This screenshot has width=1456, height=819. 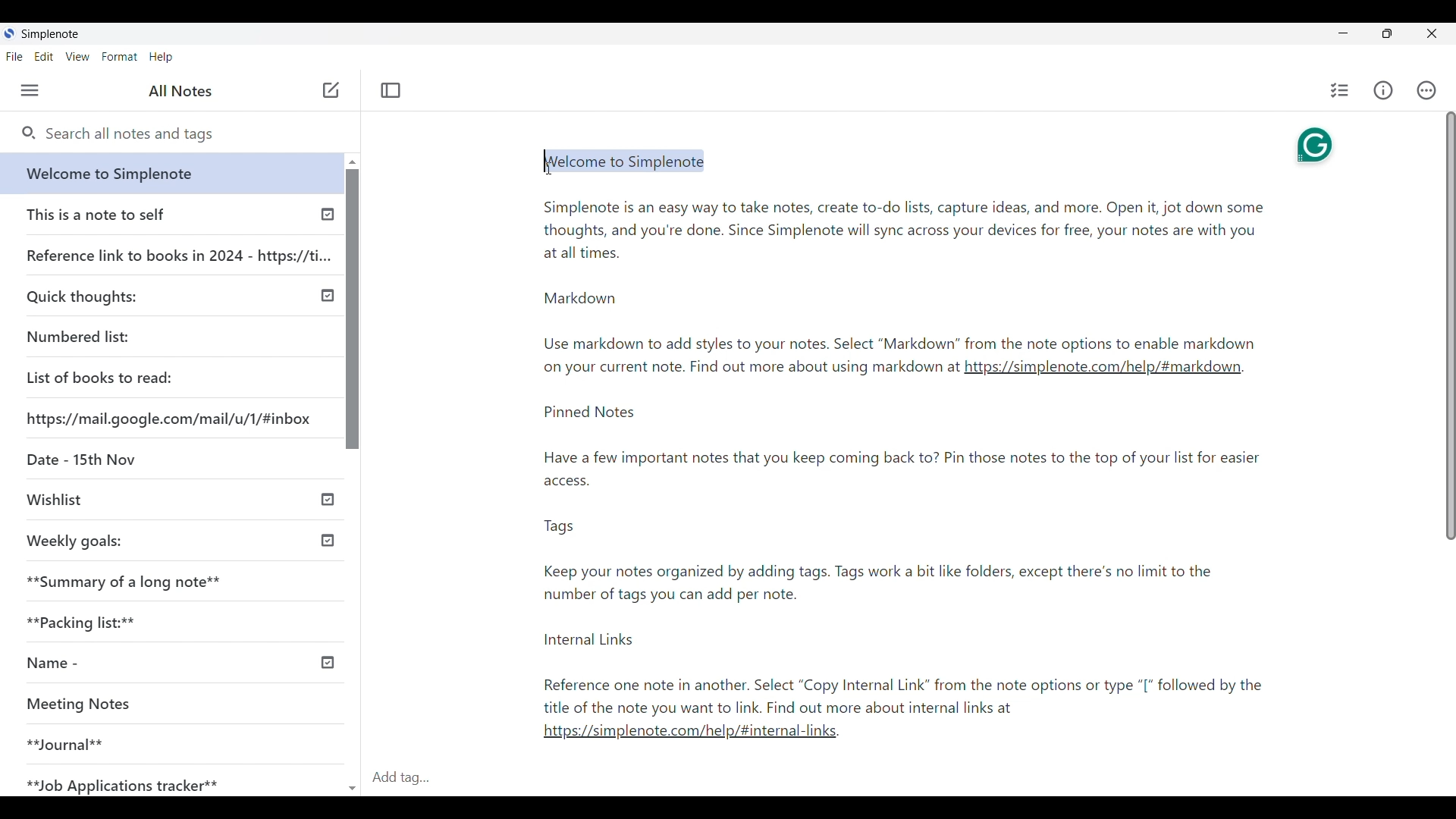 I want to click on link, so click(x=1103, y=372).